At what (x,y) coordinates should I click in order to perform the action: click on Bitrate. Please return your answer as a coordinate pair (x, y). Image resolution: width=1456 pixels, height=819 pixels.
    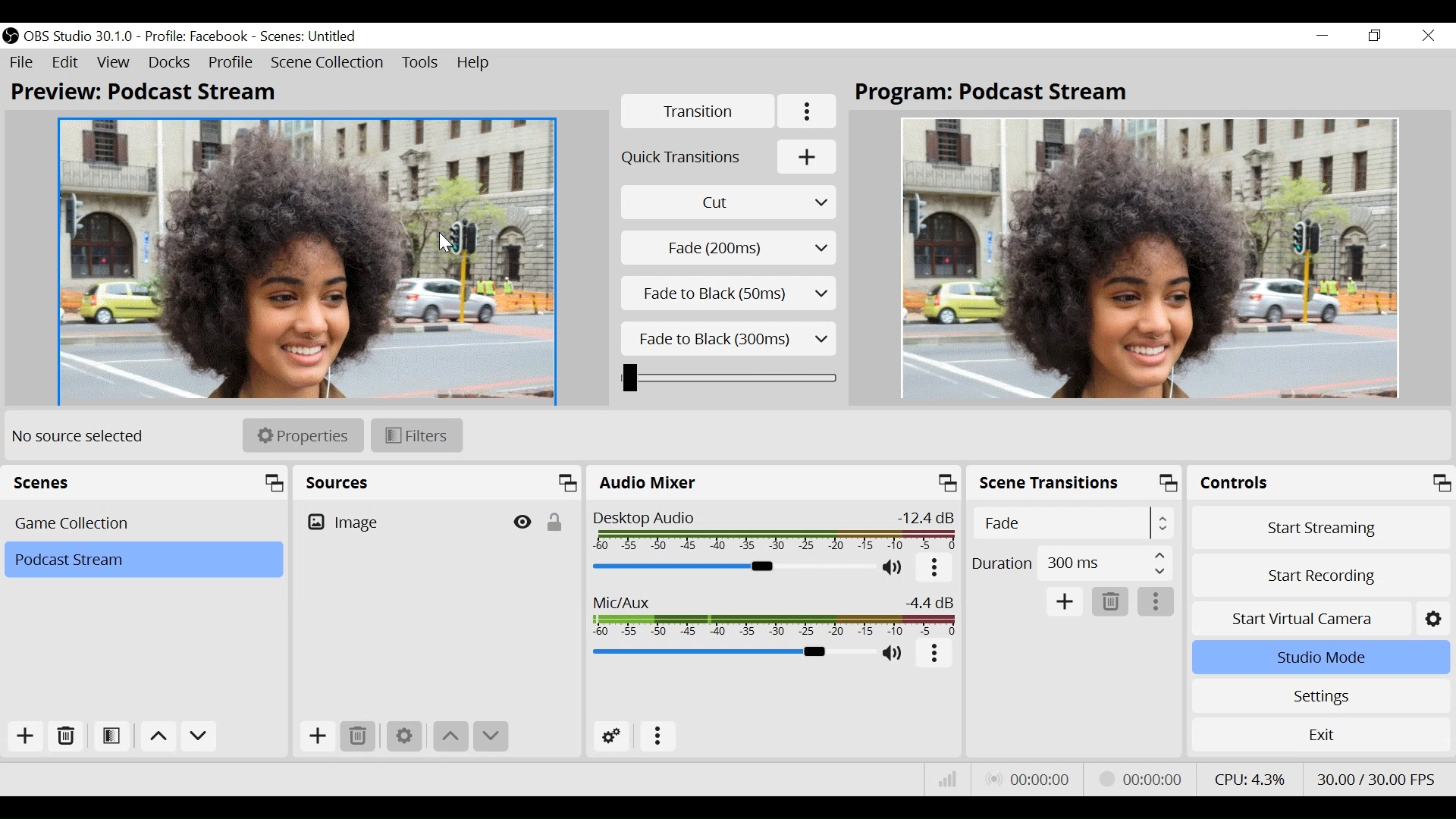
    Looking at the image, I should click on (949, 780).